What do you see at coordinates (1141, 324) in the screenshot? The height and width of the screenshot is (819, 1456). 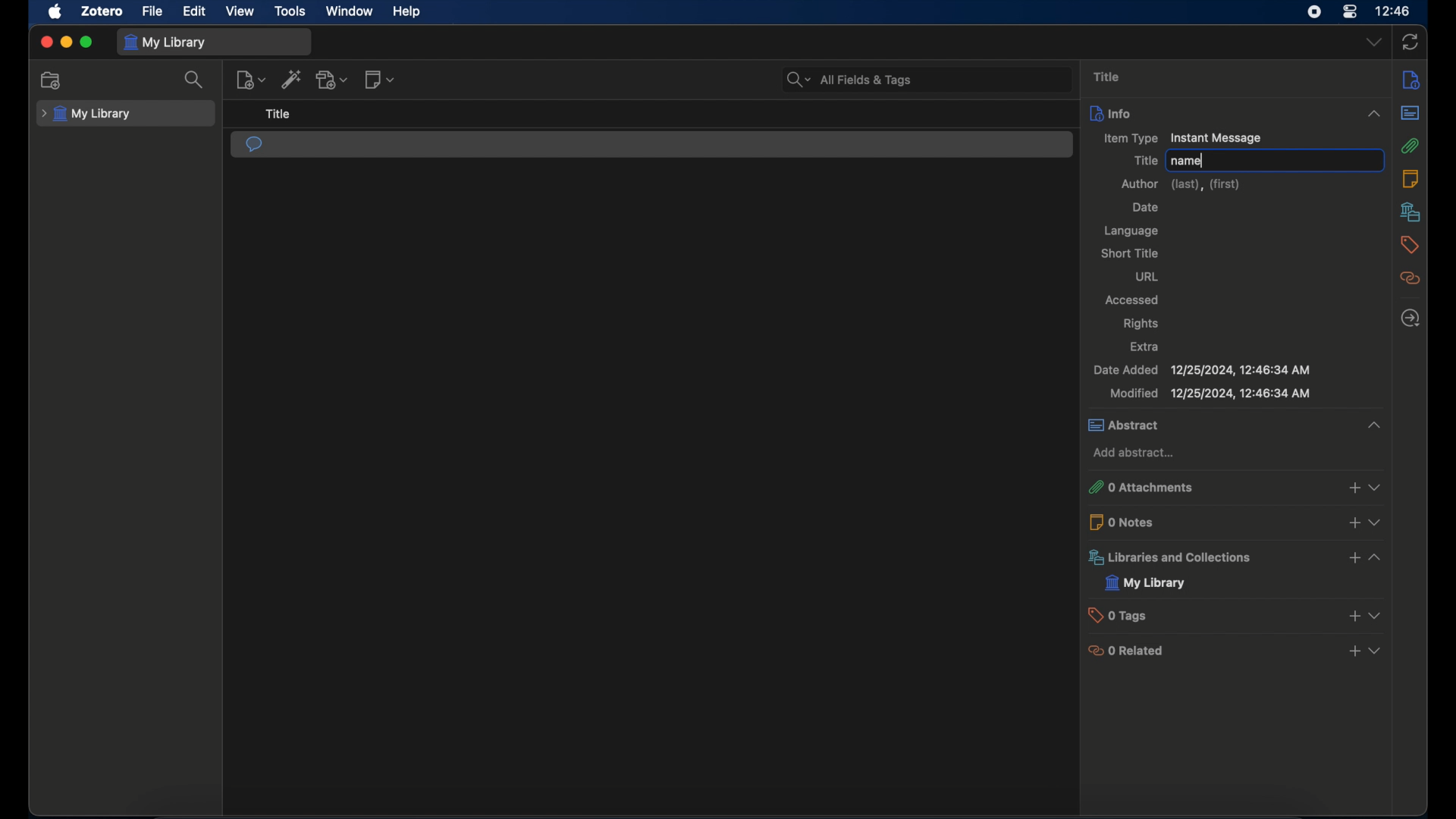 I see `rights` at bounding box center [1141, 324].